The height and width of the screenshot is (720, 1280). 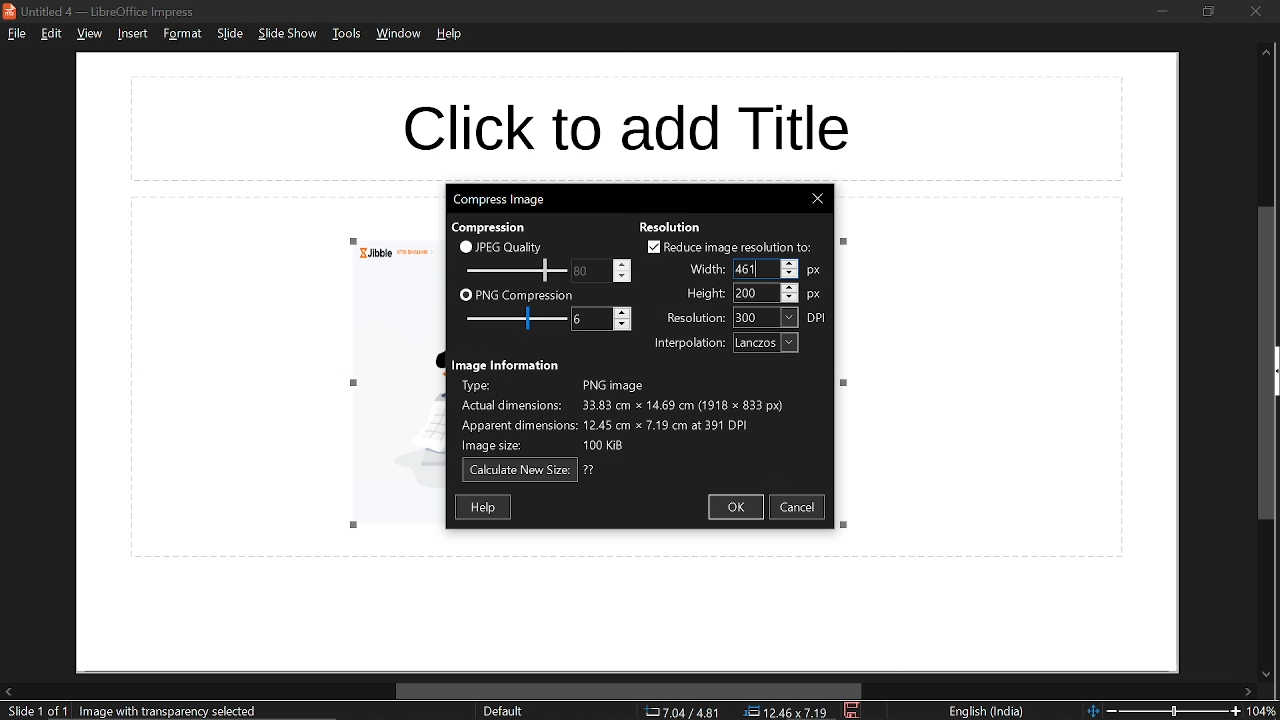 I want to click on change zoom, so click(x=1162, y=712).